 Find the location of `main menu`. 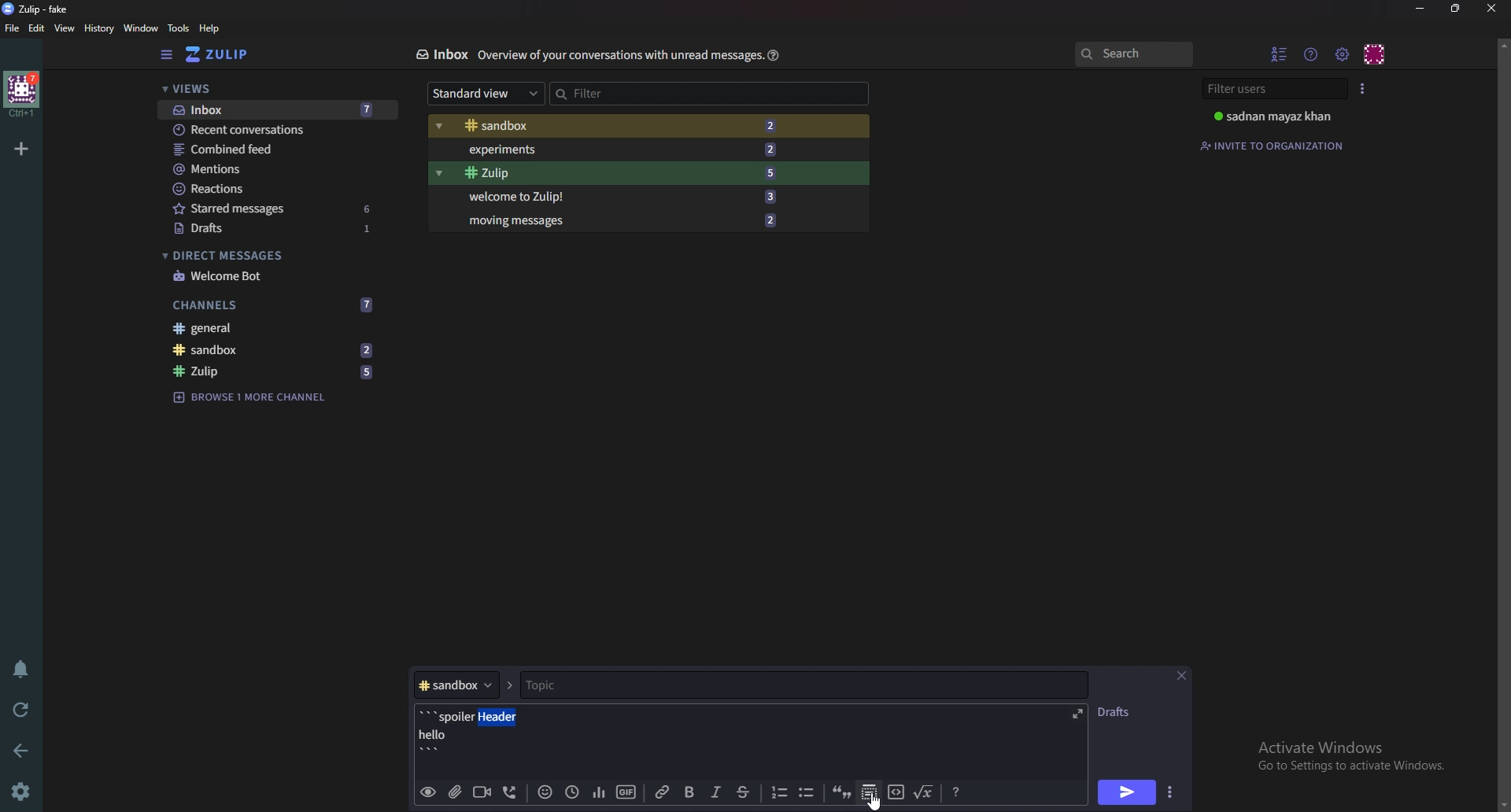

main menu is located at coordinates (1343, 54).